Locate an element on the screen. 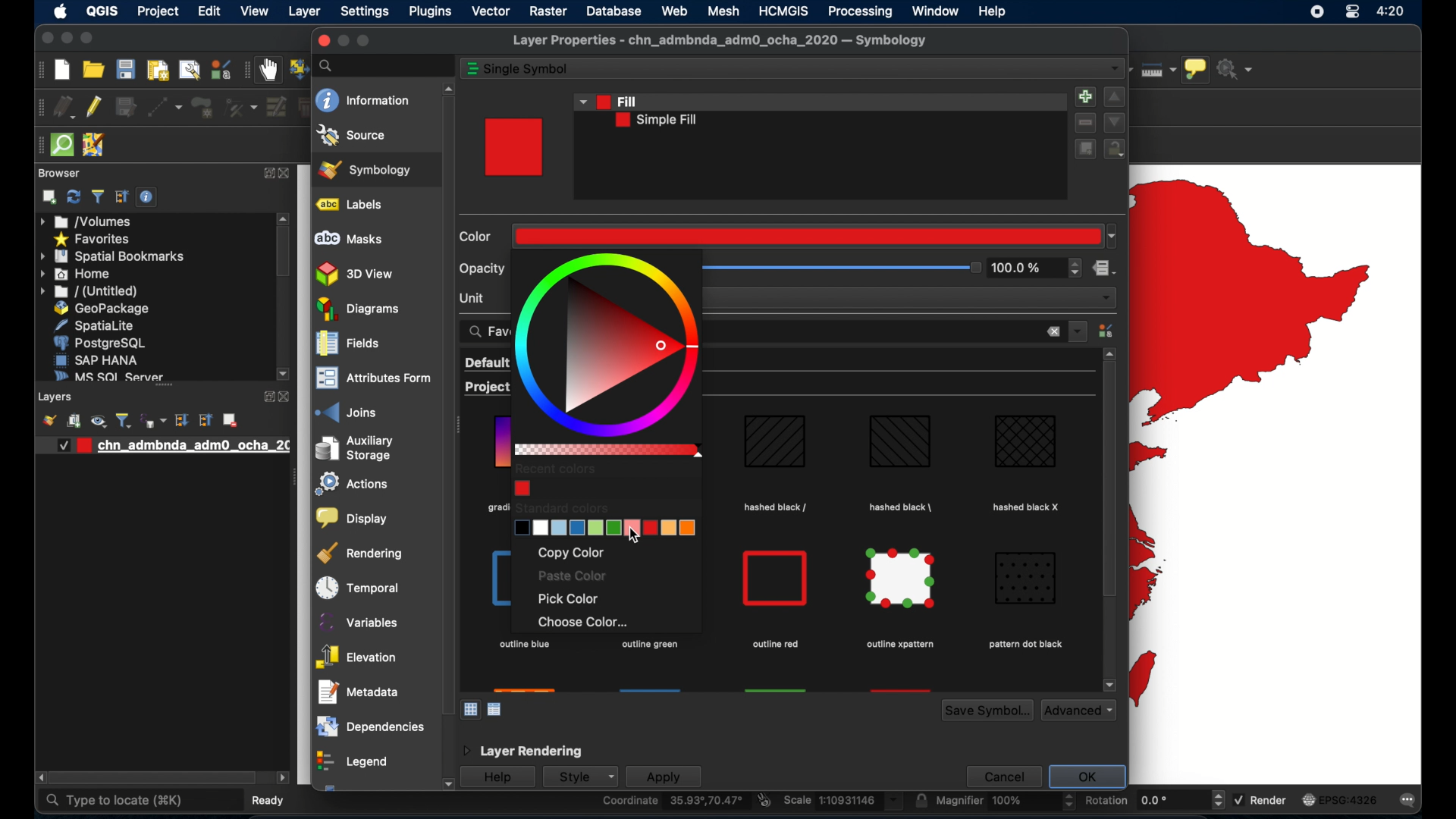 The width and height of the screenshot is (1456, 819). red is located at coordinates (522, 488).